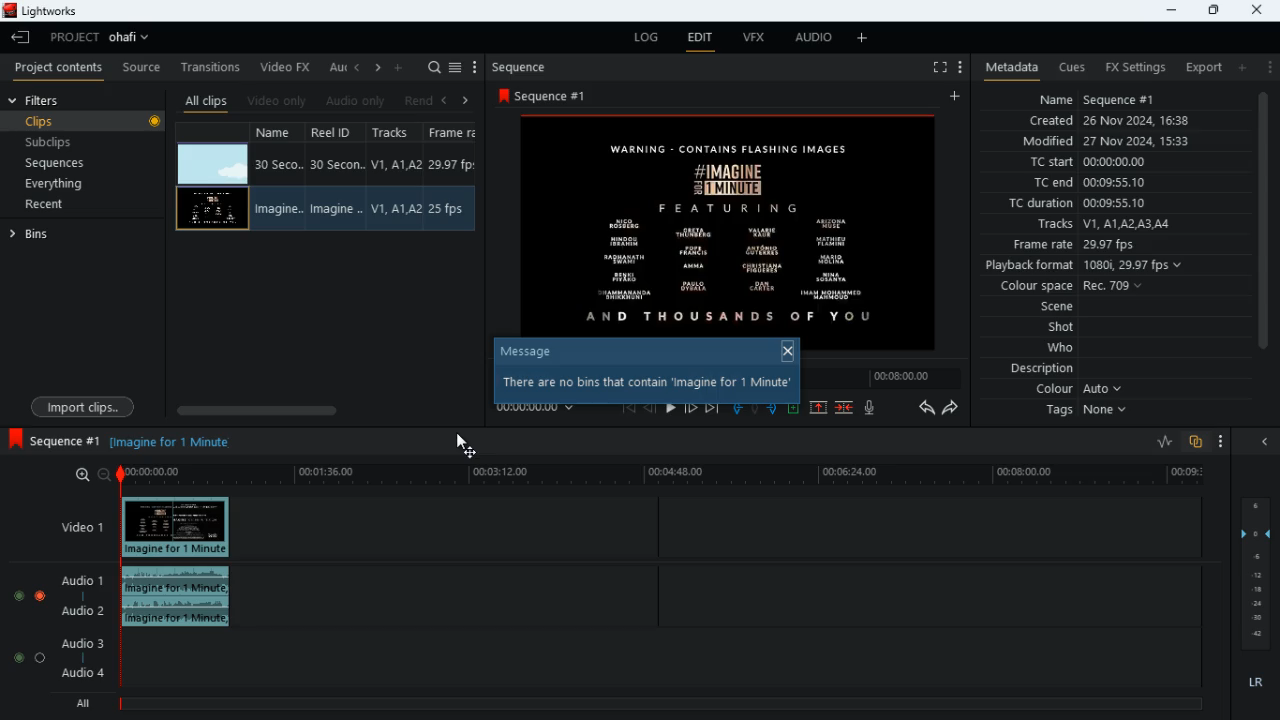 This screenshot has height=720, width=1280. What do you see at coordinates (395, 208) in the screenshot?
I see `Track` at bounding box center [395, 208].